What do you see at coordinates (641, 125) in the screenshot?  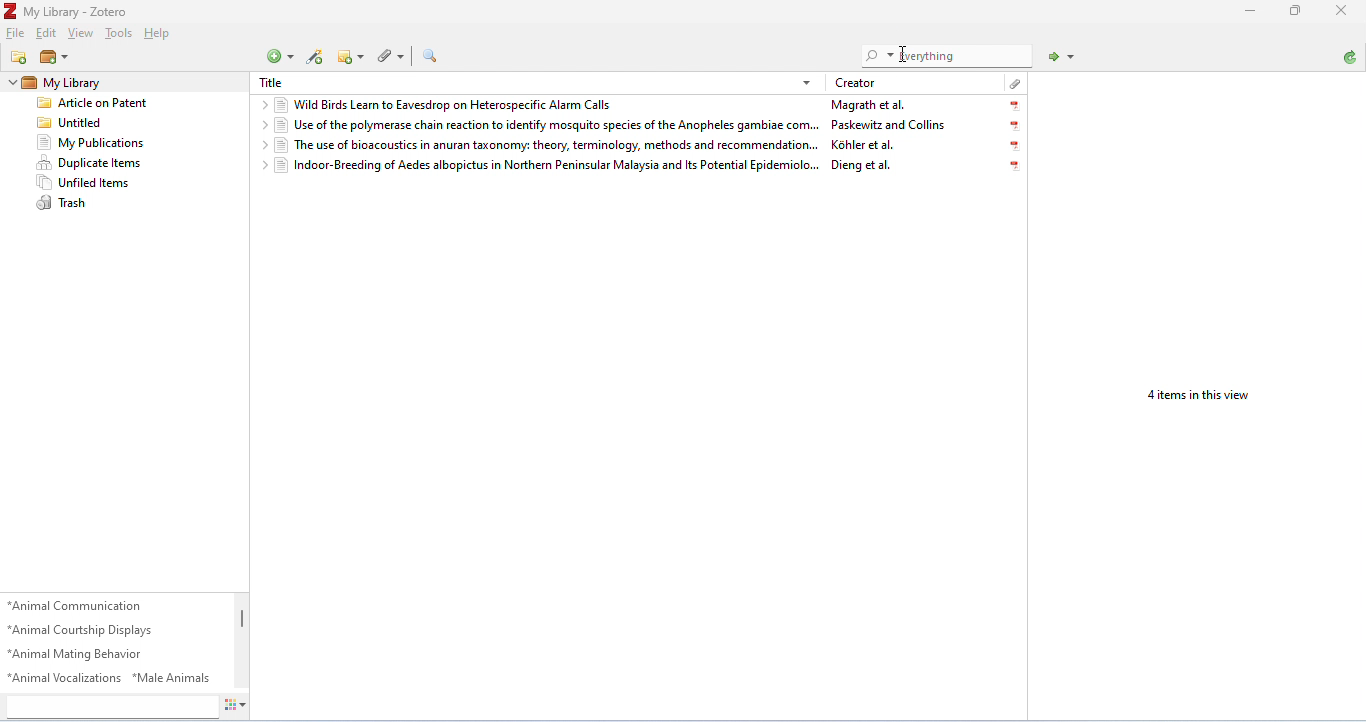 I see `Use of the polymerase chain reaction to identify mosquito species of the Anopheles gambiae com... Paskewitz and Collins` at bounding box center [641, 125].